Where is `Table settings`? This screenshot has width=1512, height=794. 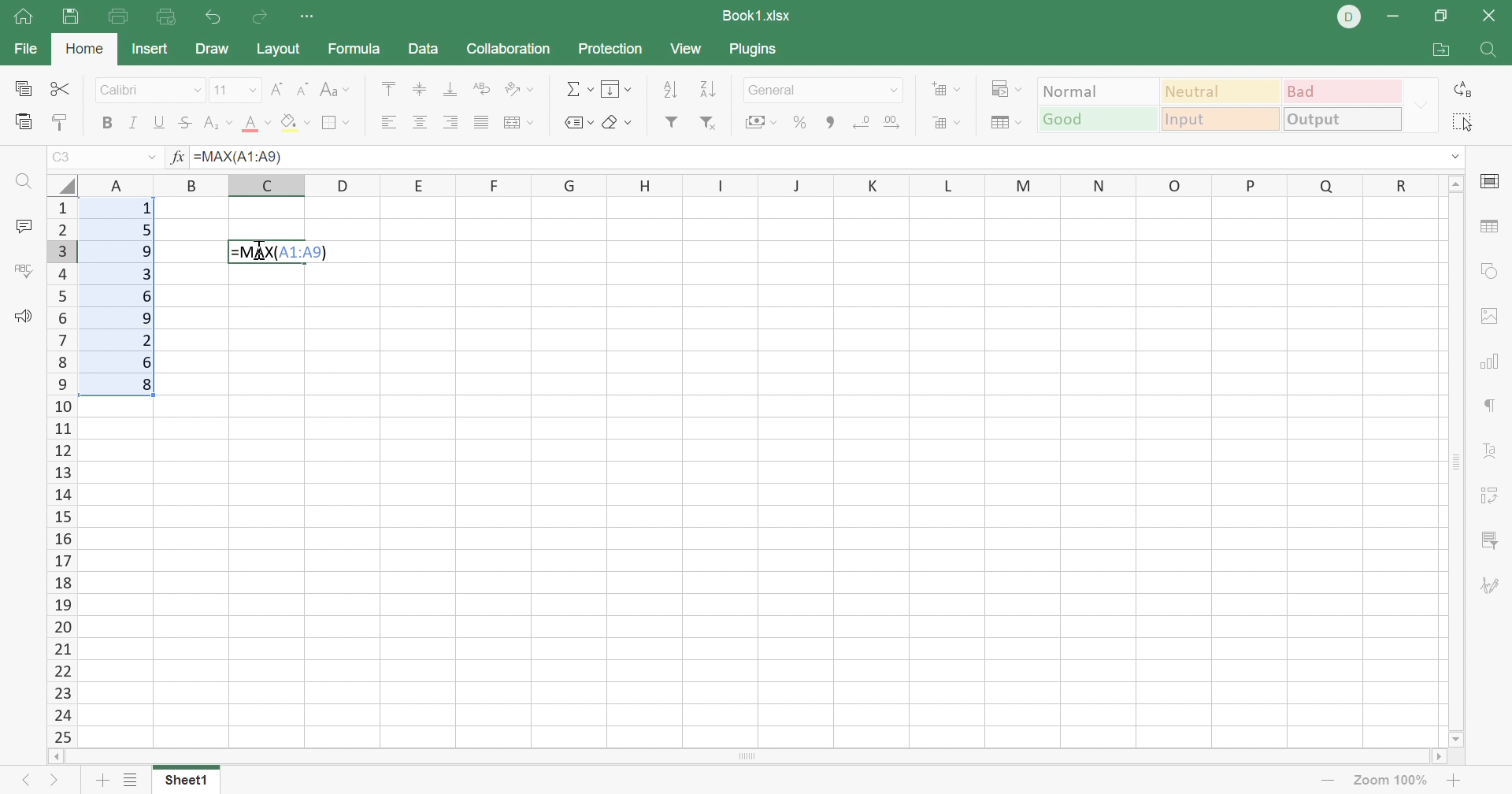 Table settings is located at coordinates (1489, 226).